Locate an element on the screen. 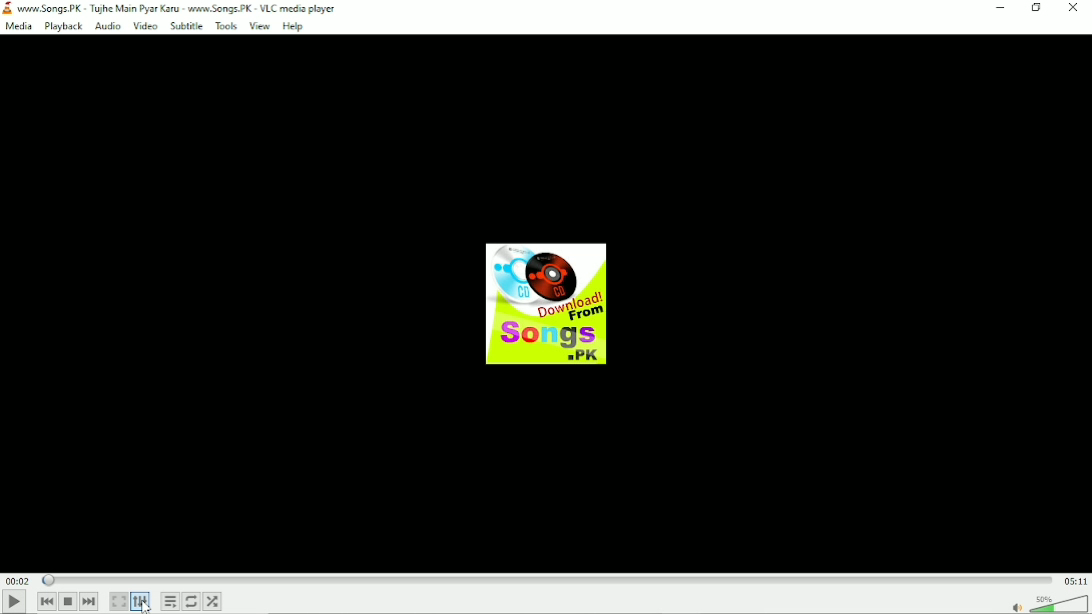  Minimize is located at coordinates (999, 10).